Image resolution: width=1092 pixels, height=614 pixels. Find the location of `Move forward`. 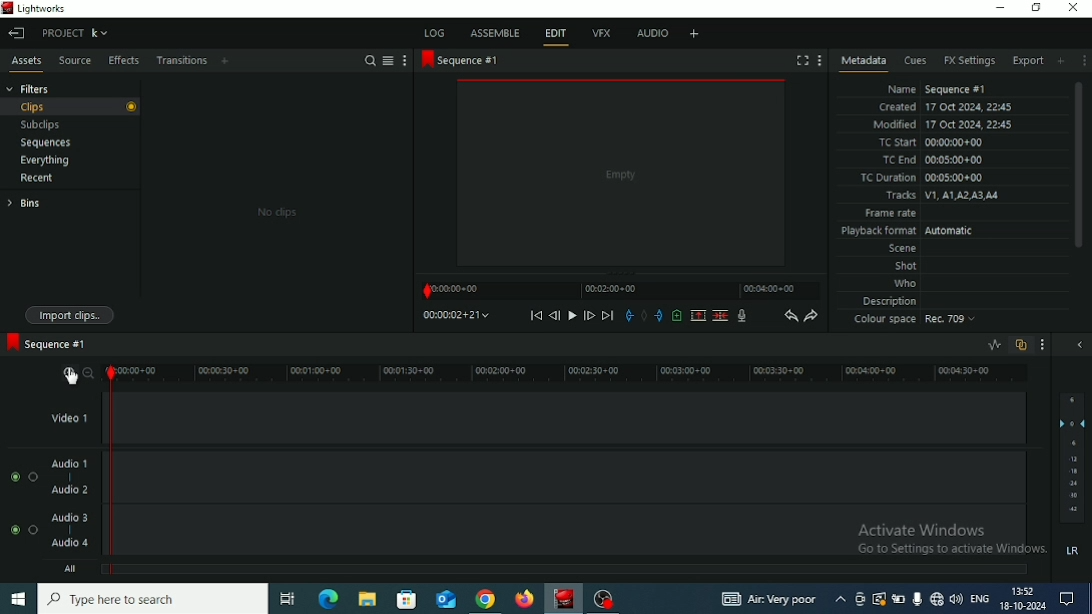

Move forward is located at coordinates (608, 317).